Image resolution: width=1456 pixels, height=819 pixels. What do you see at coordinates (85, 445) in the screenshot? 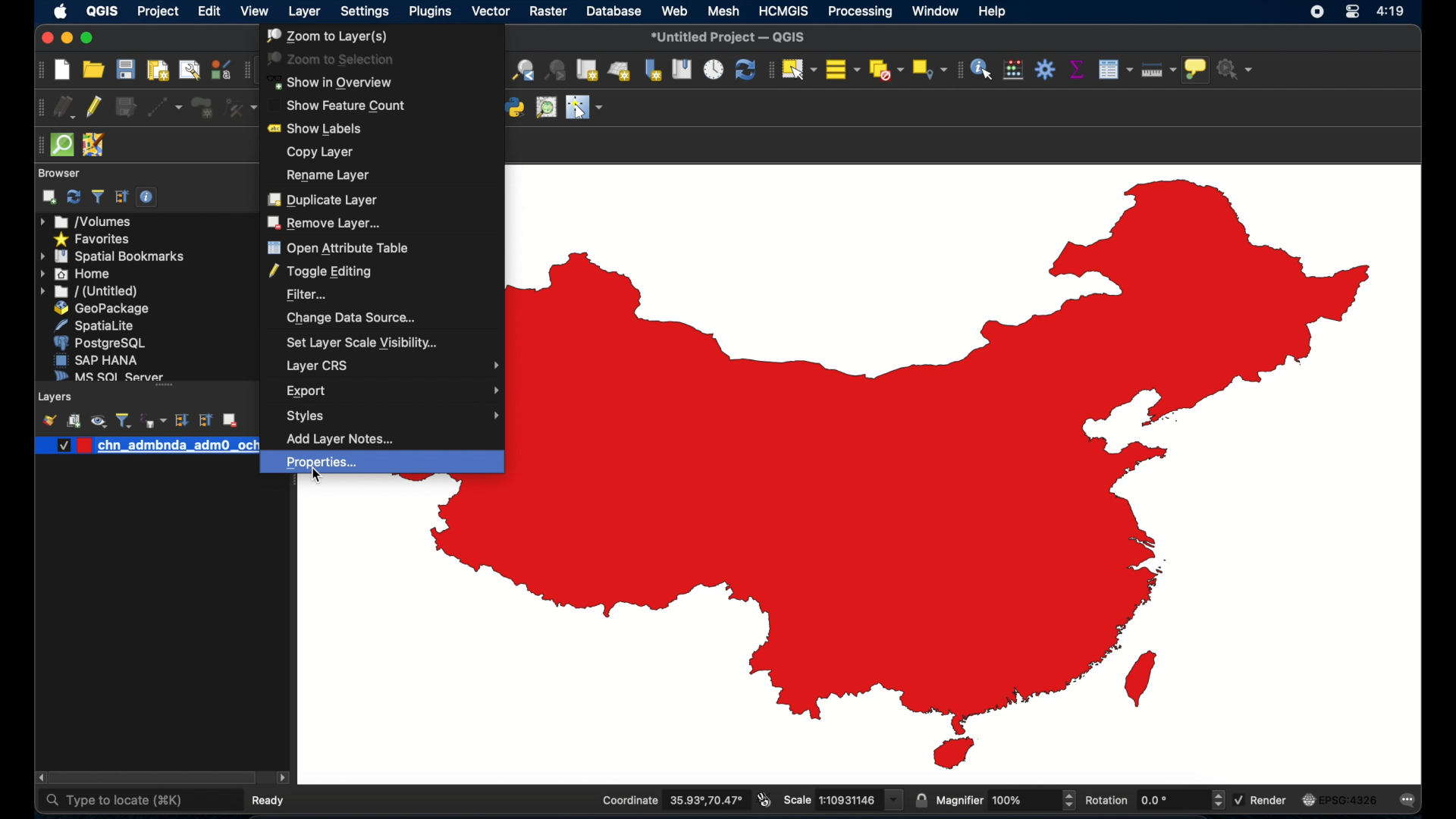
I see `color preview ` at bounding box center [85, 445].